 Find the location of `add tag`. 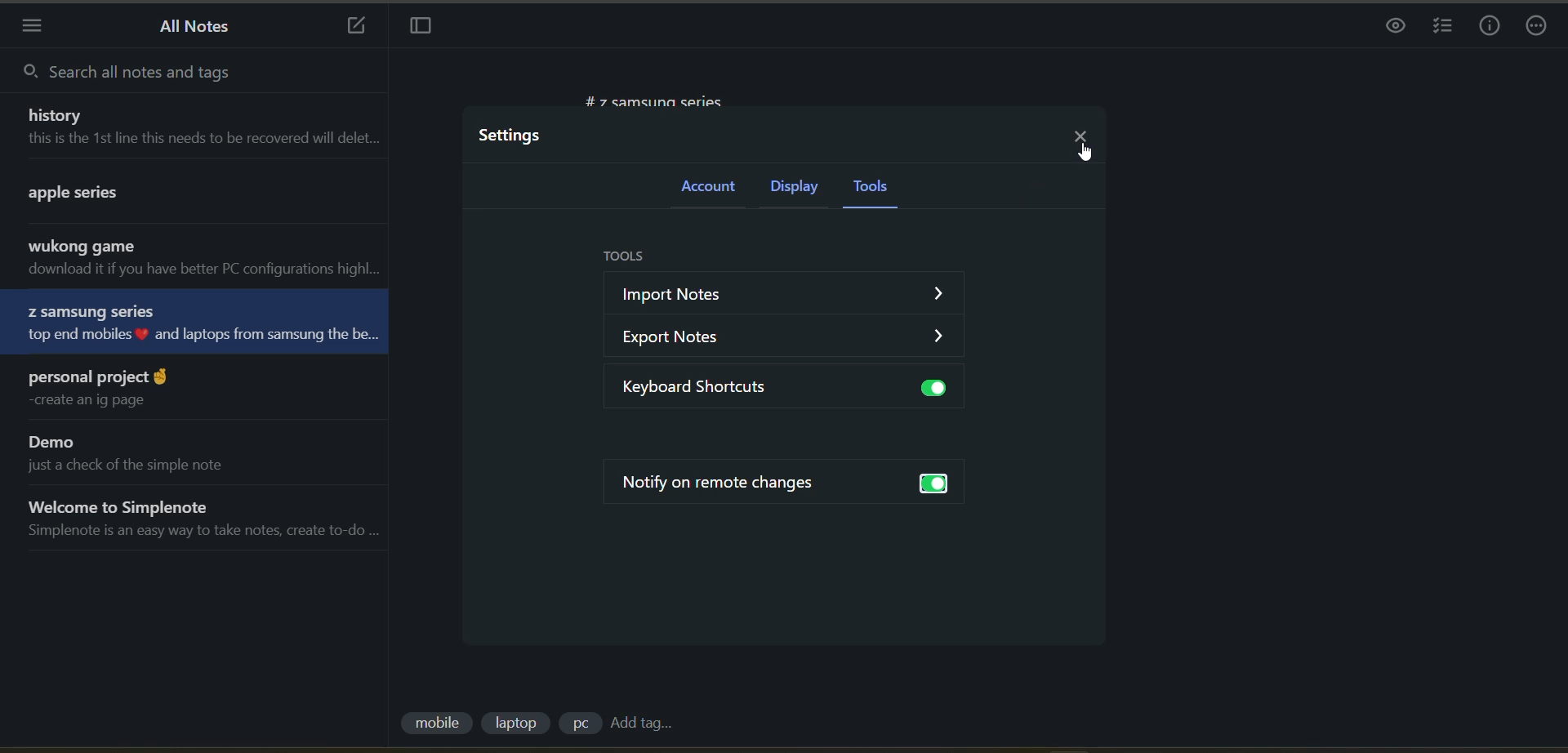

add tag is located at coordinates (647, 724).